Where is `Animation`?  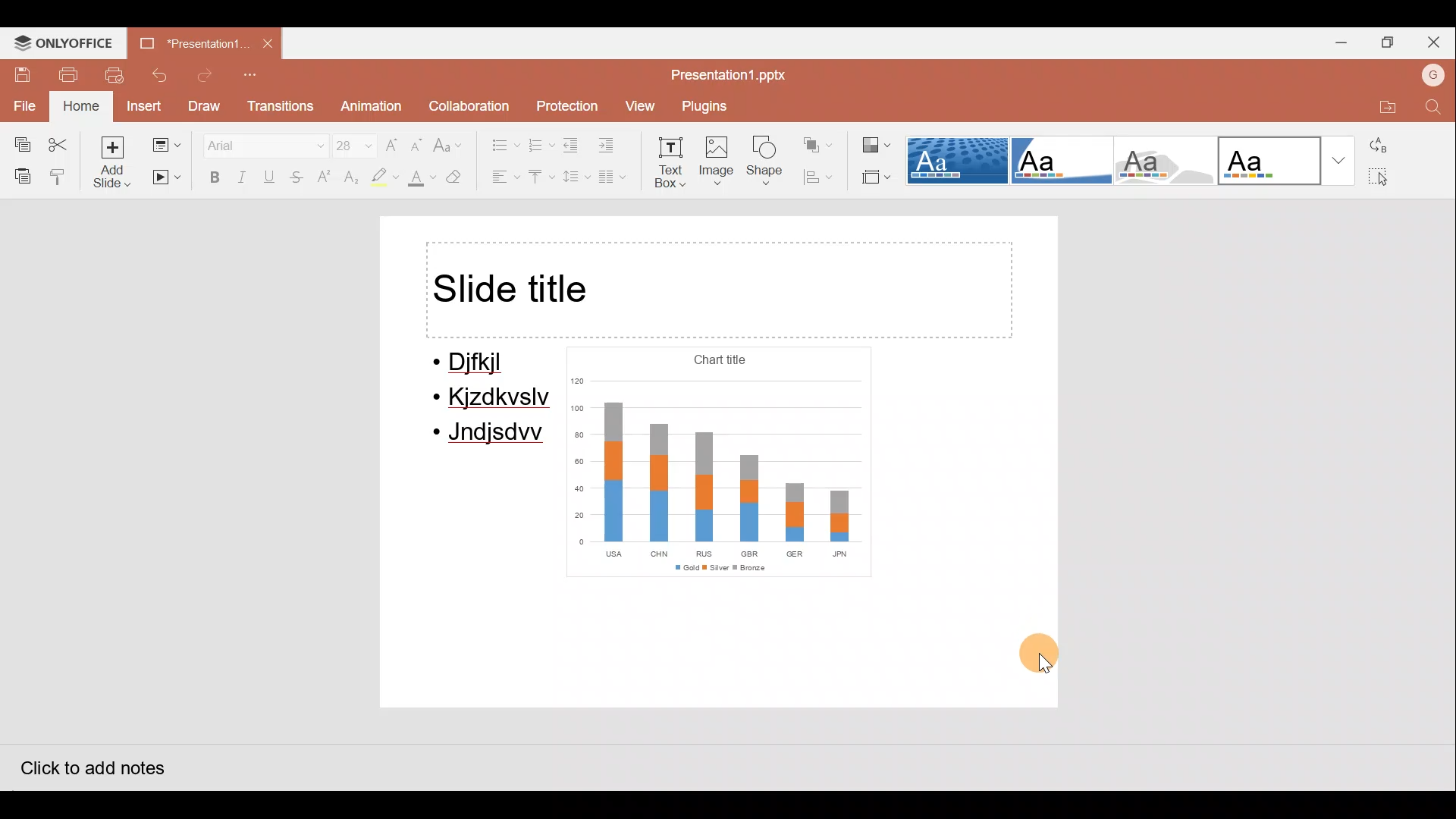
Animation is located at coordinates (367, 106).